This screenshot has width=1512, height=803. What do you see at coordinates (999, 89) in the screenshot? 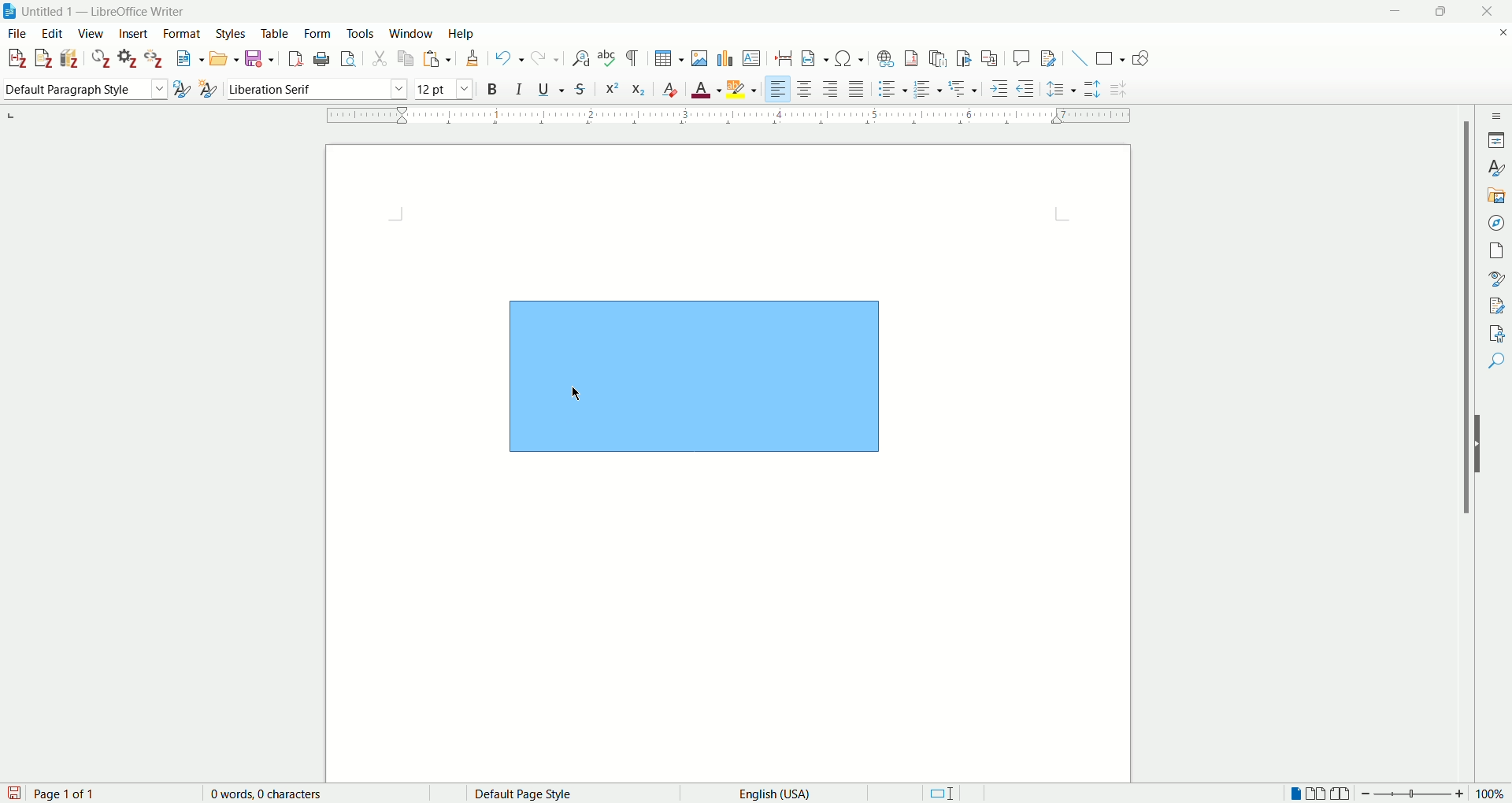
I see `increase indent` at bounding box center [999, 89].